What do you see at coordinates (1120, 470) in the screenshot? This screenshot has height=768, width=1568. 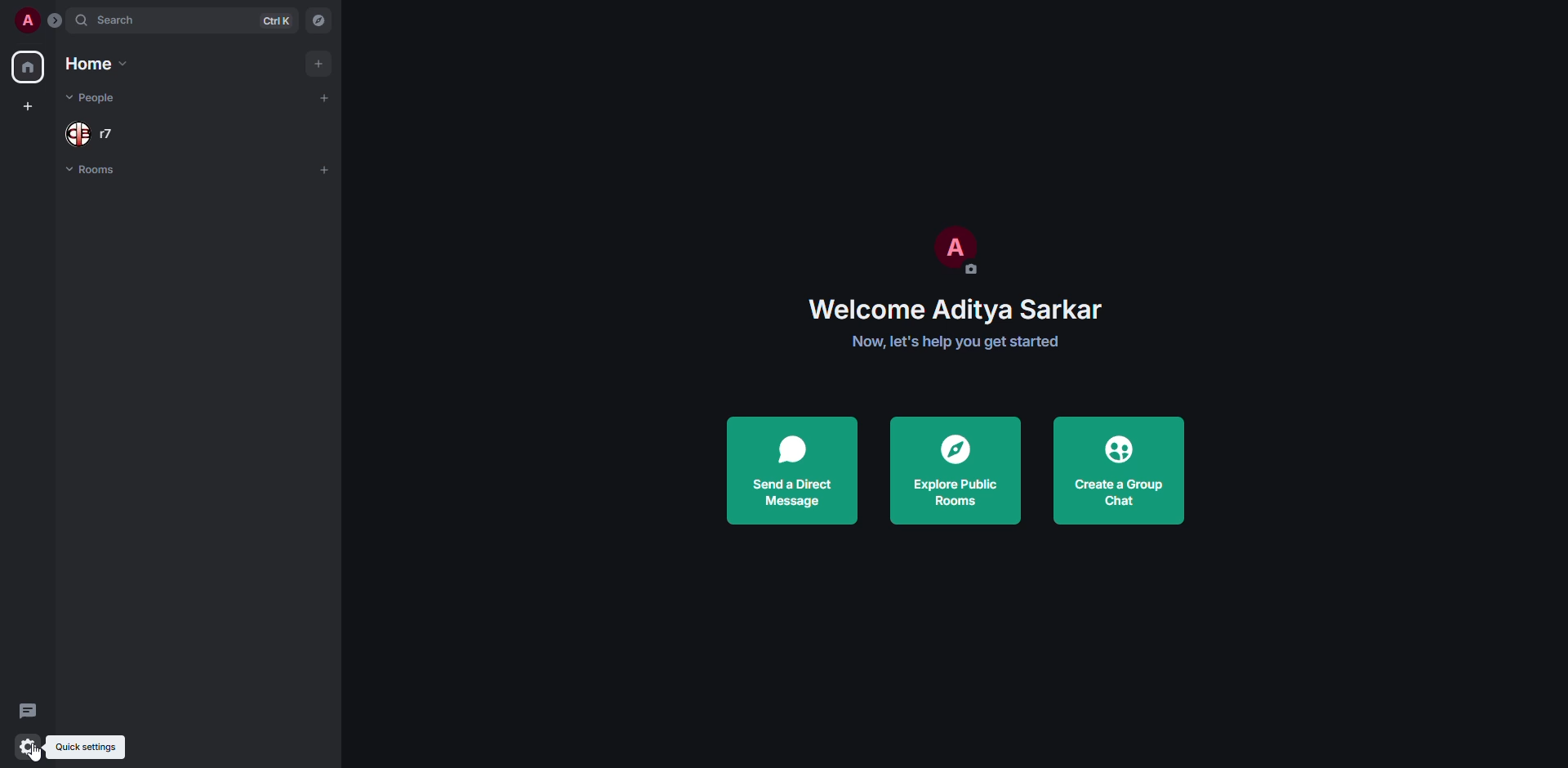 I see `create a group chat` at bounding box center [1120, 470].